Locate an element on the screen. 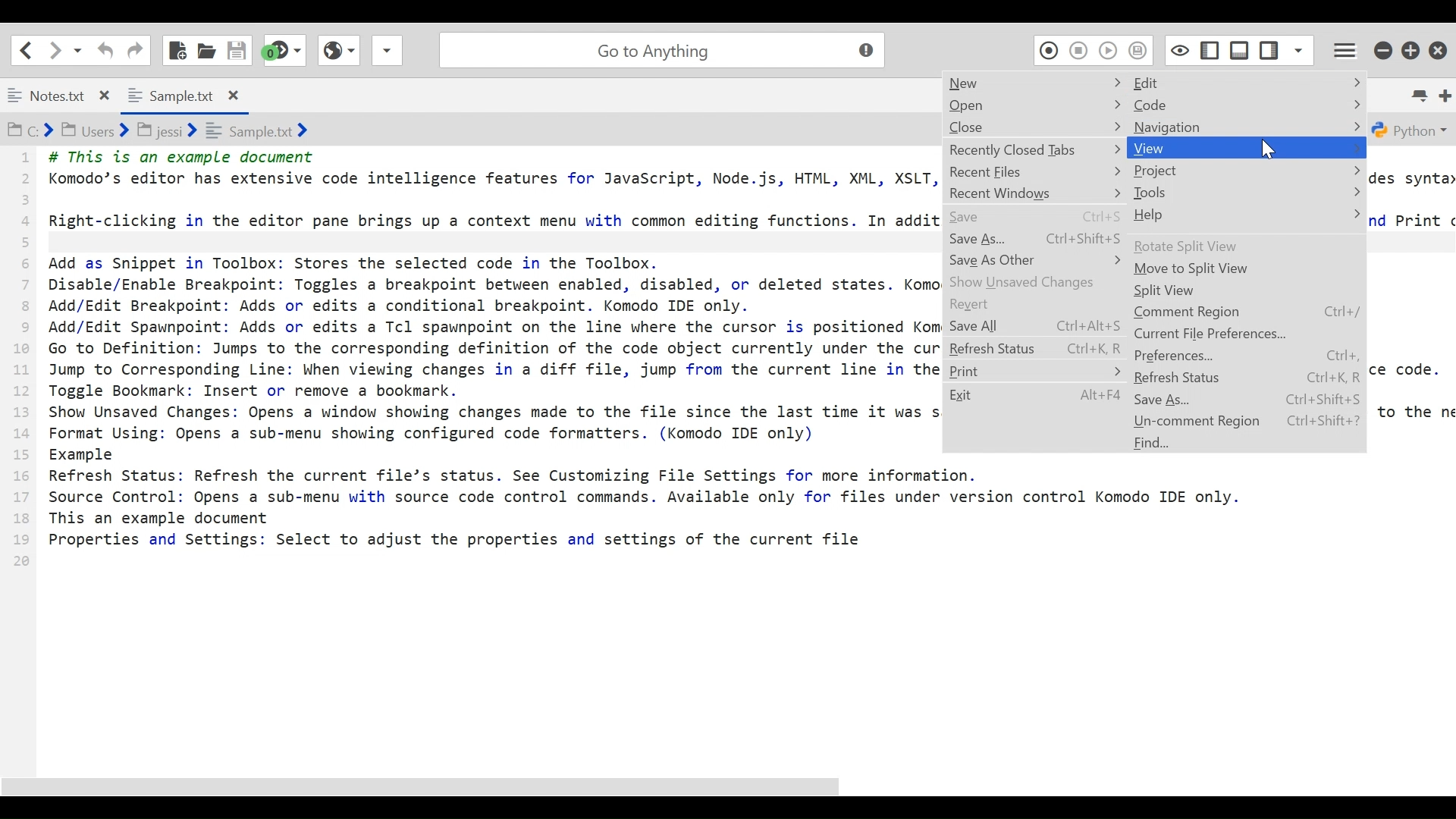 The width and height of the screenshot is (1456, 819). Recent locations is located at coordinates (78, 50).